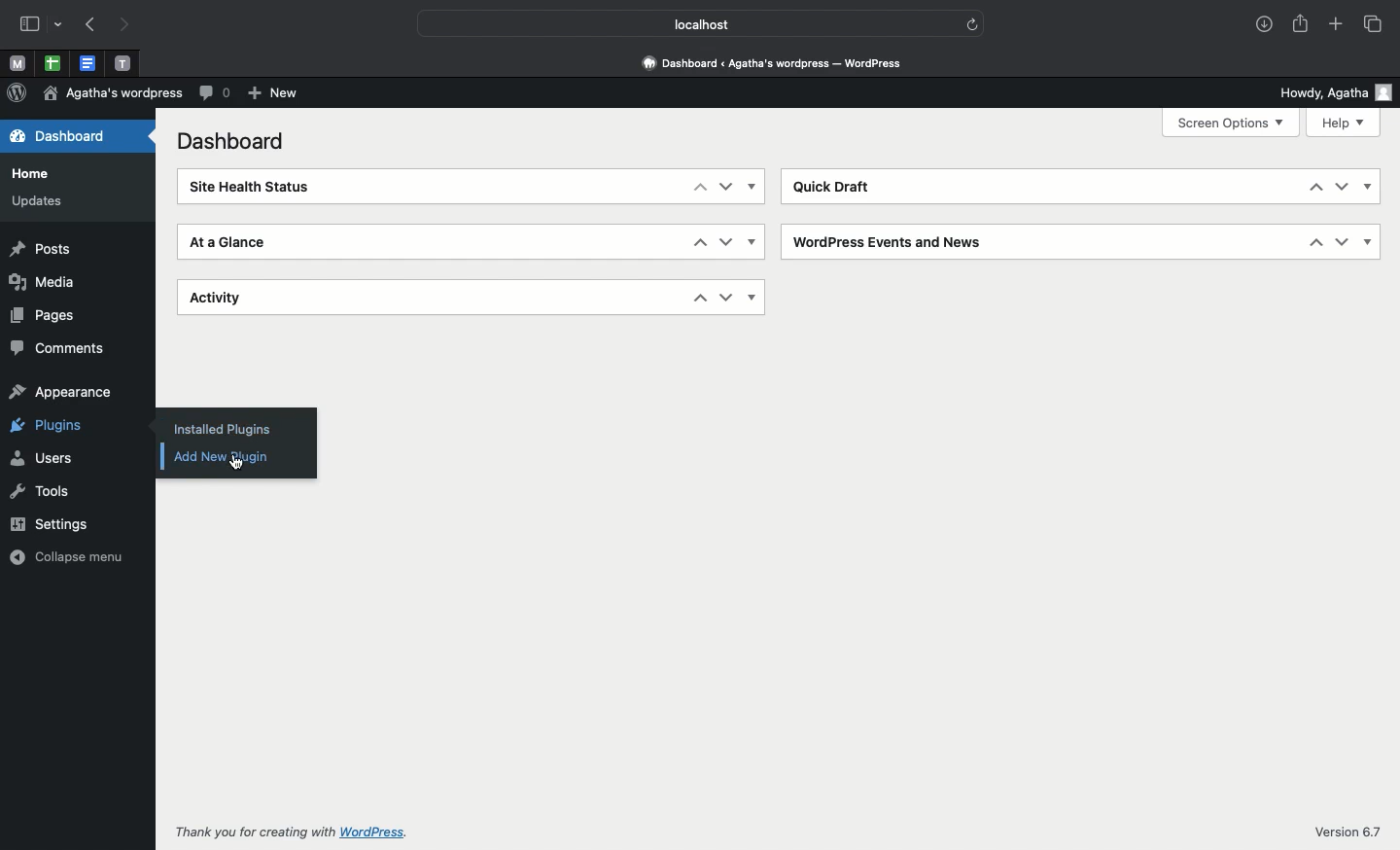  I want to click on drop-down, so click(58, 25).